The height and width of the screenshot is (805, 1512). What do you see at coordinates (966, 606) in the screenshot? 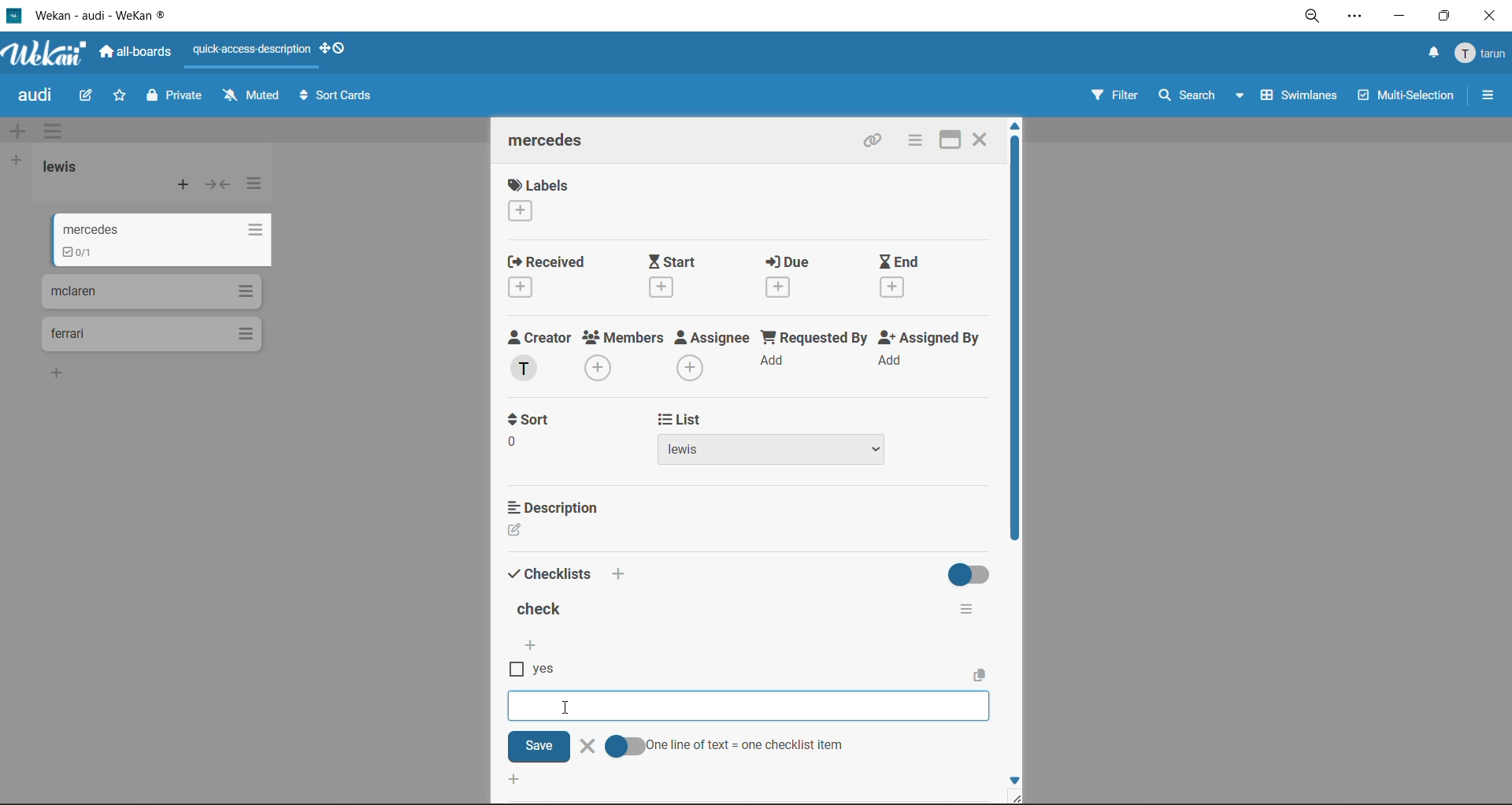
I see `checklist options` at bounding box center [966, 606].